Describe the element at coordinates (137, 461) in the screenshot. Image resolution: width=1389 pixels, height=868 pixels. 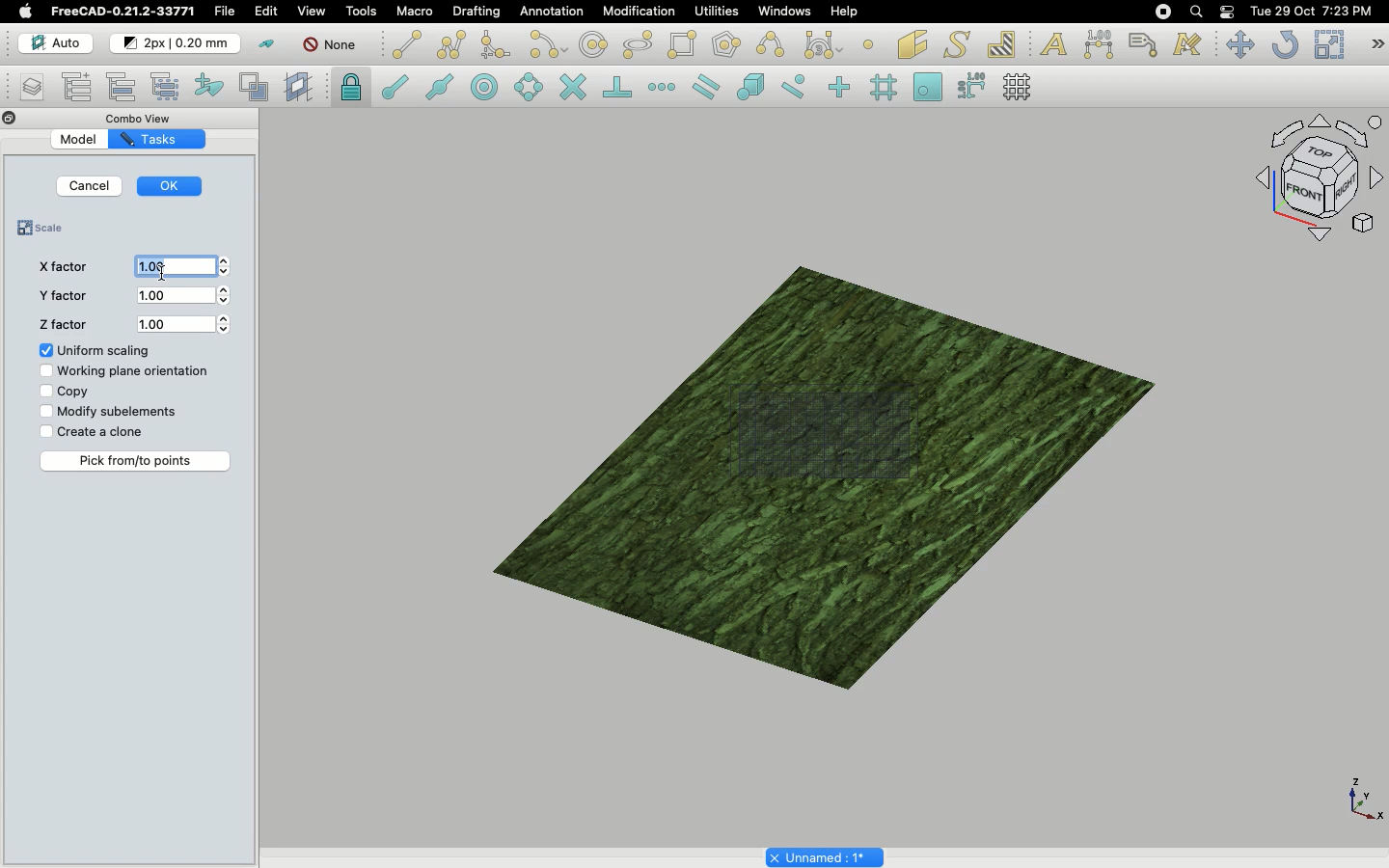
I see `Pick from/to points` at that location.